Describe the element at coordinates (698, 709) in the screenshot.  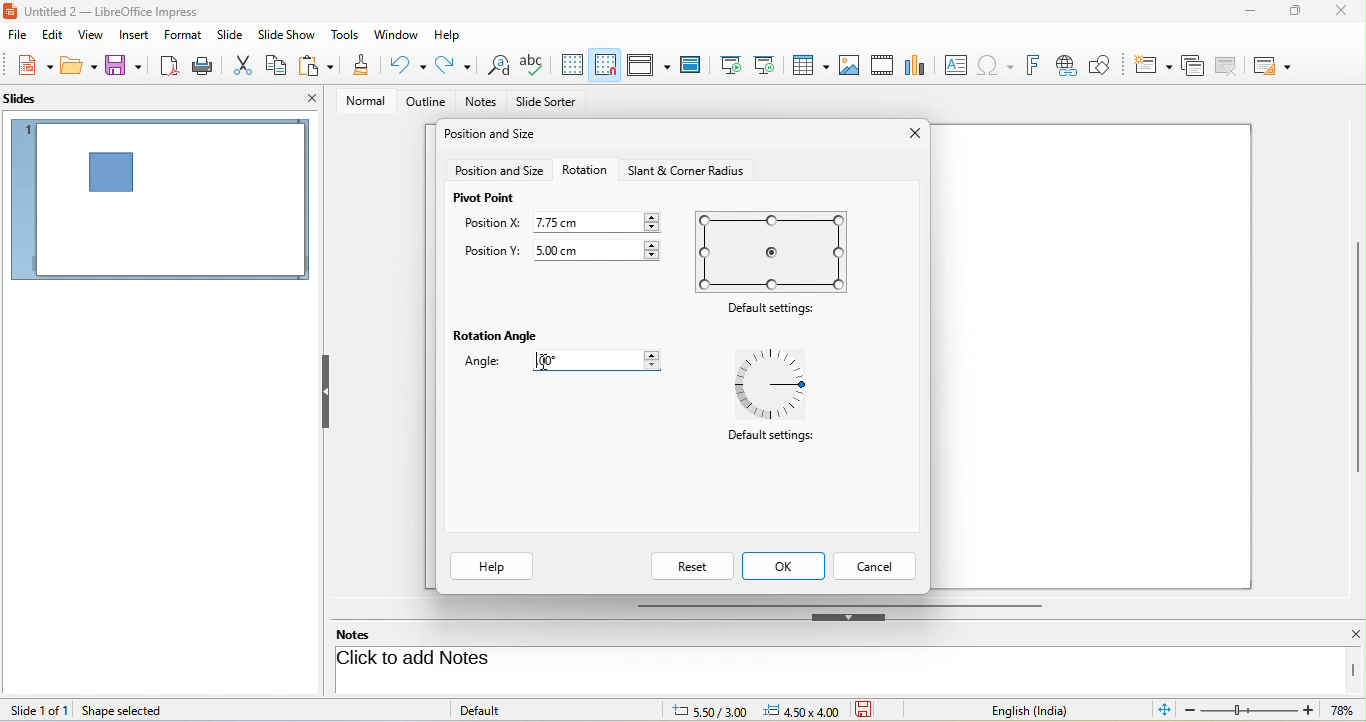
I see `cursor position-5.50/3.00` at that location.